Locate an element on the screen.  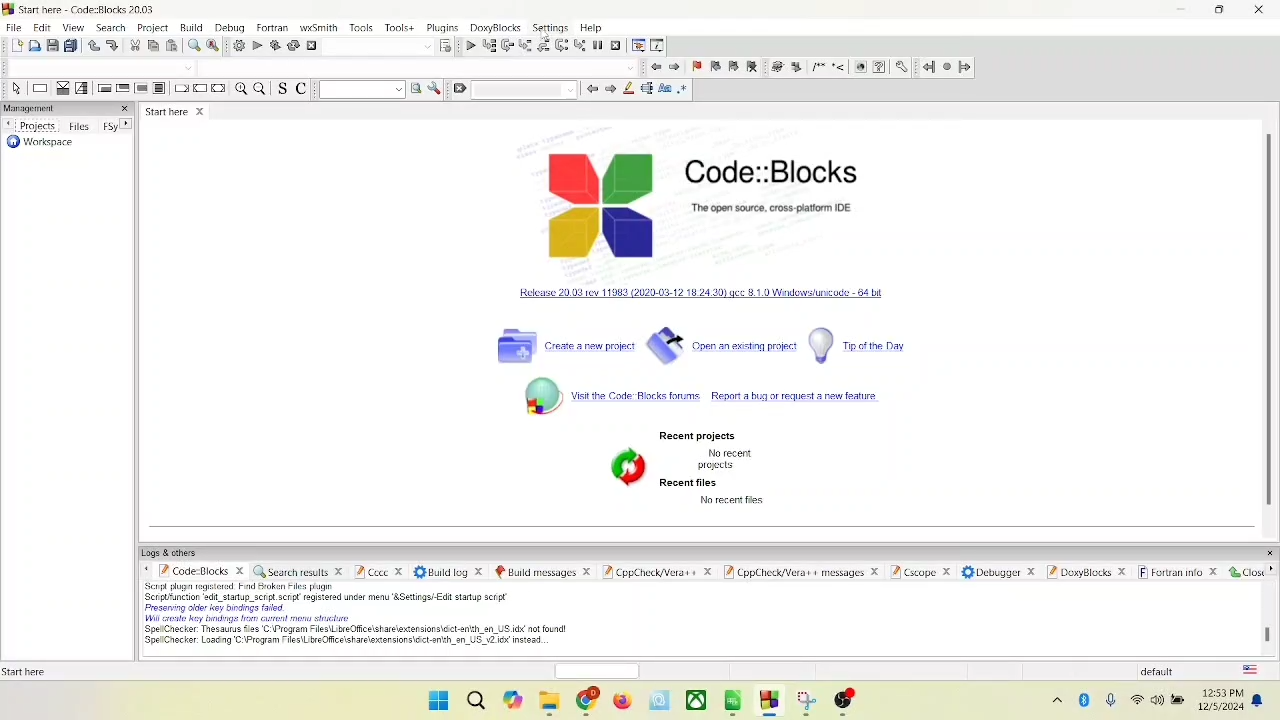
replace is located at coordinates (213, 46).